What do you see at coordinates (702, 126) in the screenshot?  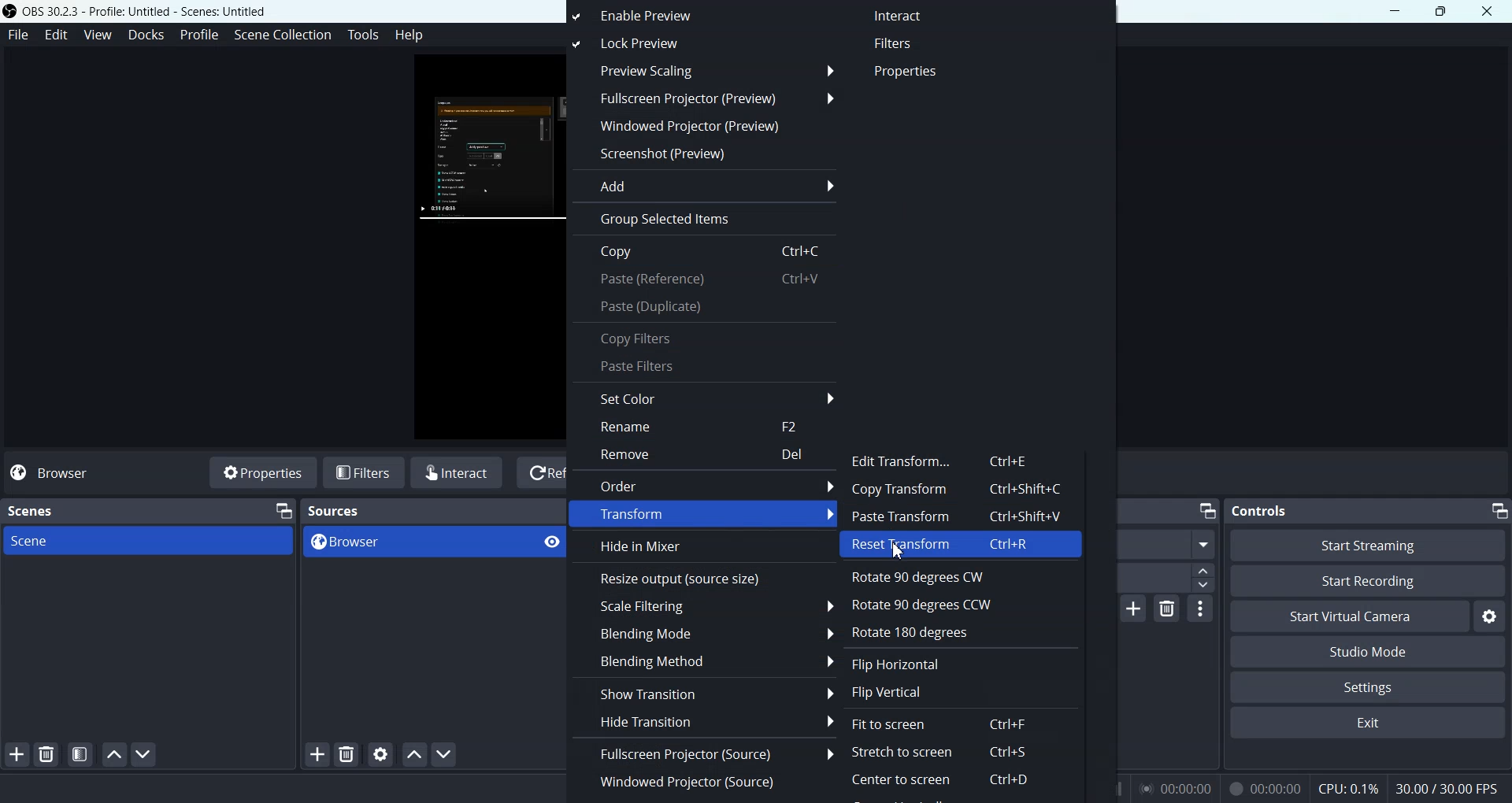 I see `Windowed Projector (preview)` at bounding box center [702, 126].